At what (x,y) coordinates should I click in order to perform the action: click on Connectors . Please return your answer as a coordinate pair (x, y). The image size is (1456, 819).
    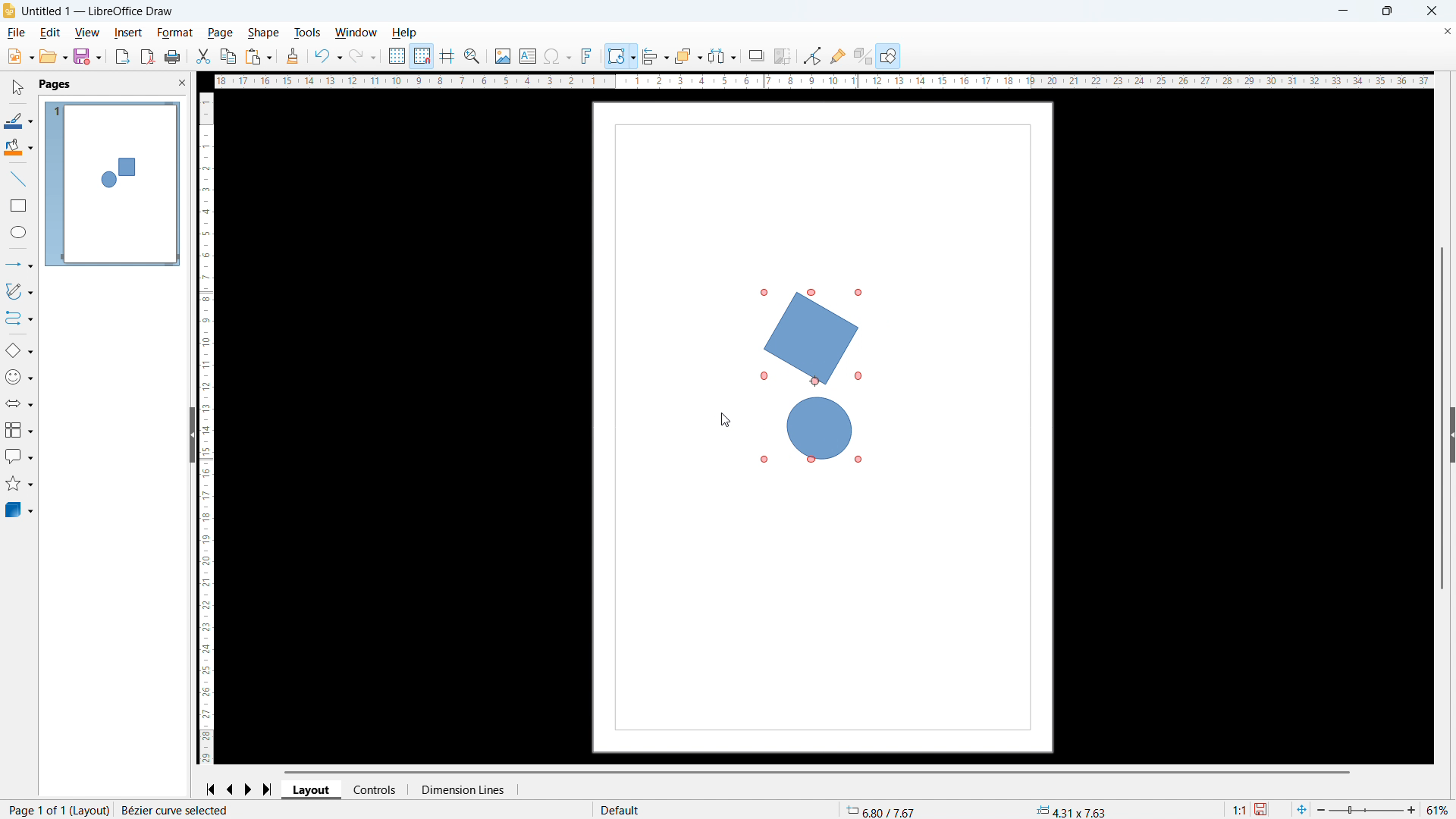
    Looking at the image, I should click on (20, 318).